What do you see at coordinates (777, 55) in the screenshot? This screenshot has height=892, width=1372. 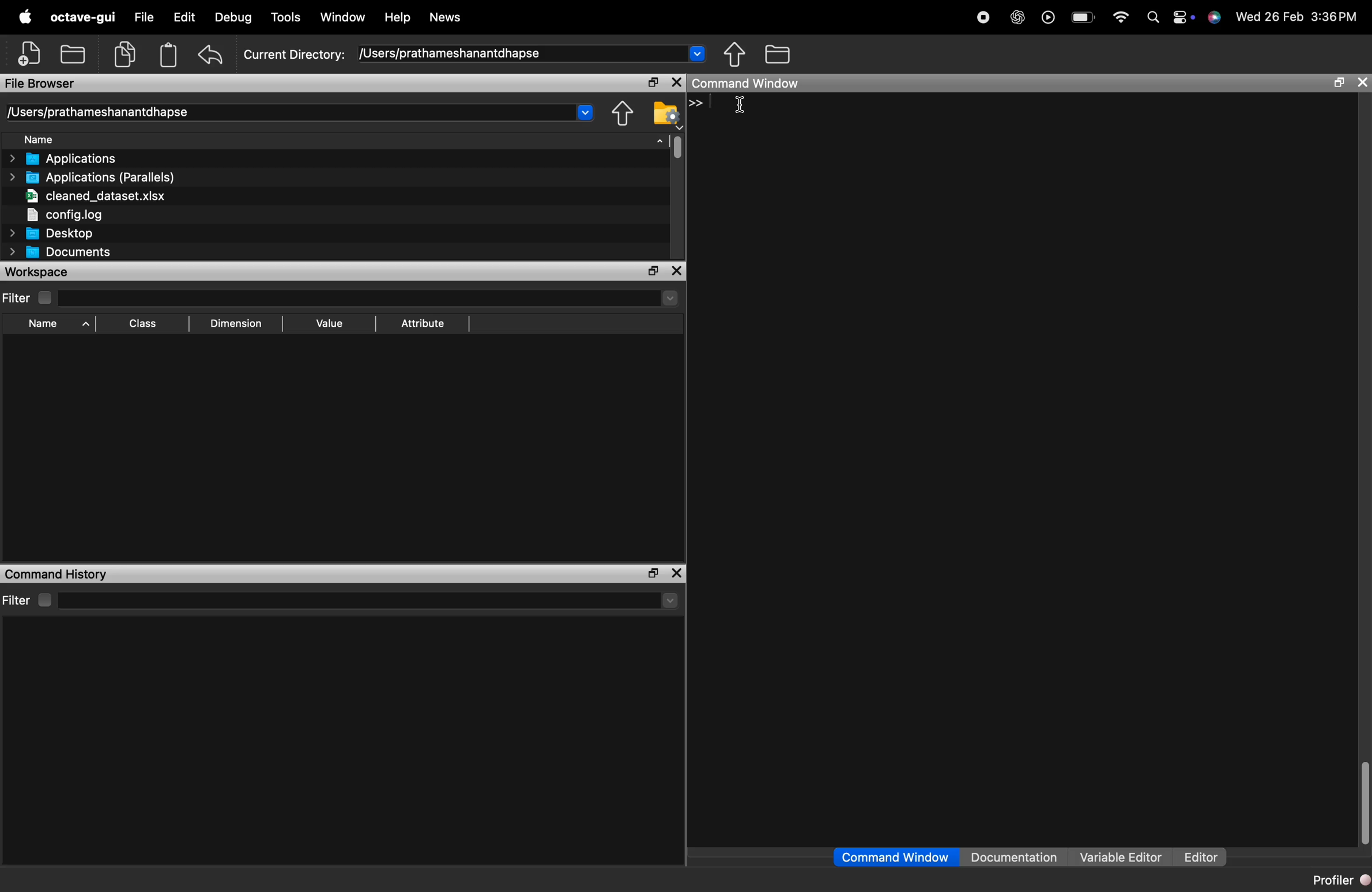 I see `One directory up` at bounding box center [777, 55].